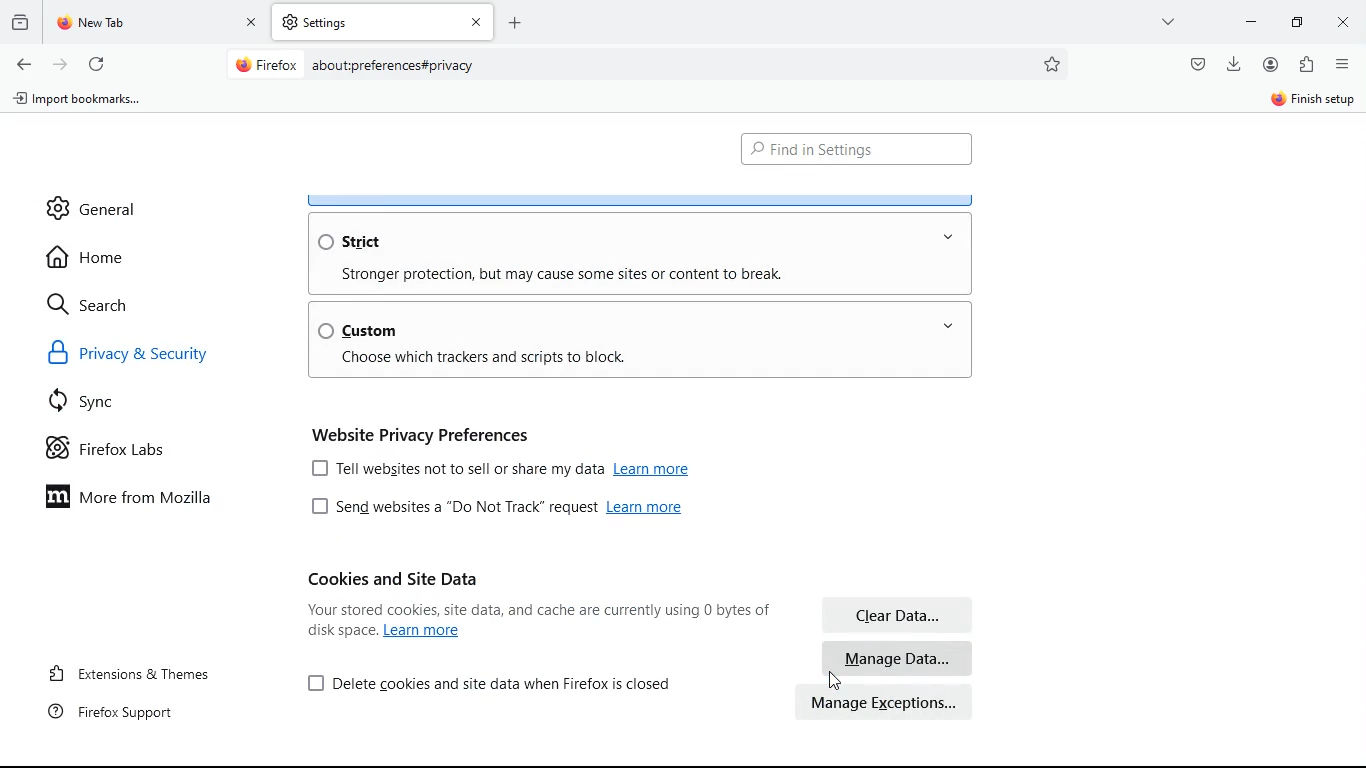  Describe the element at coordinates (1196, 63) in the screenshot. I see `pocket` at that location.